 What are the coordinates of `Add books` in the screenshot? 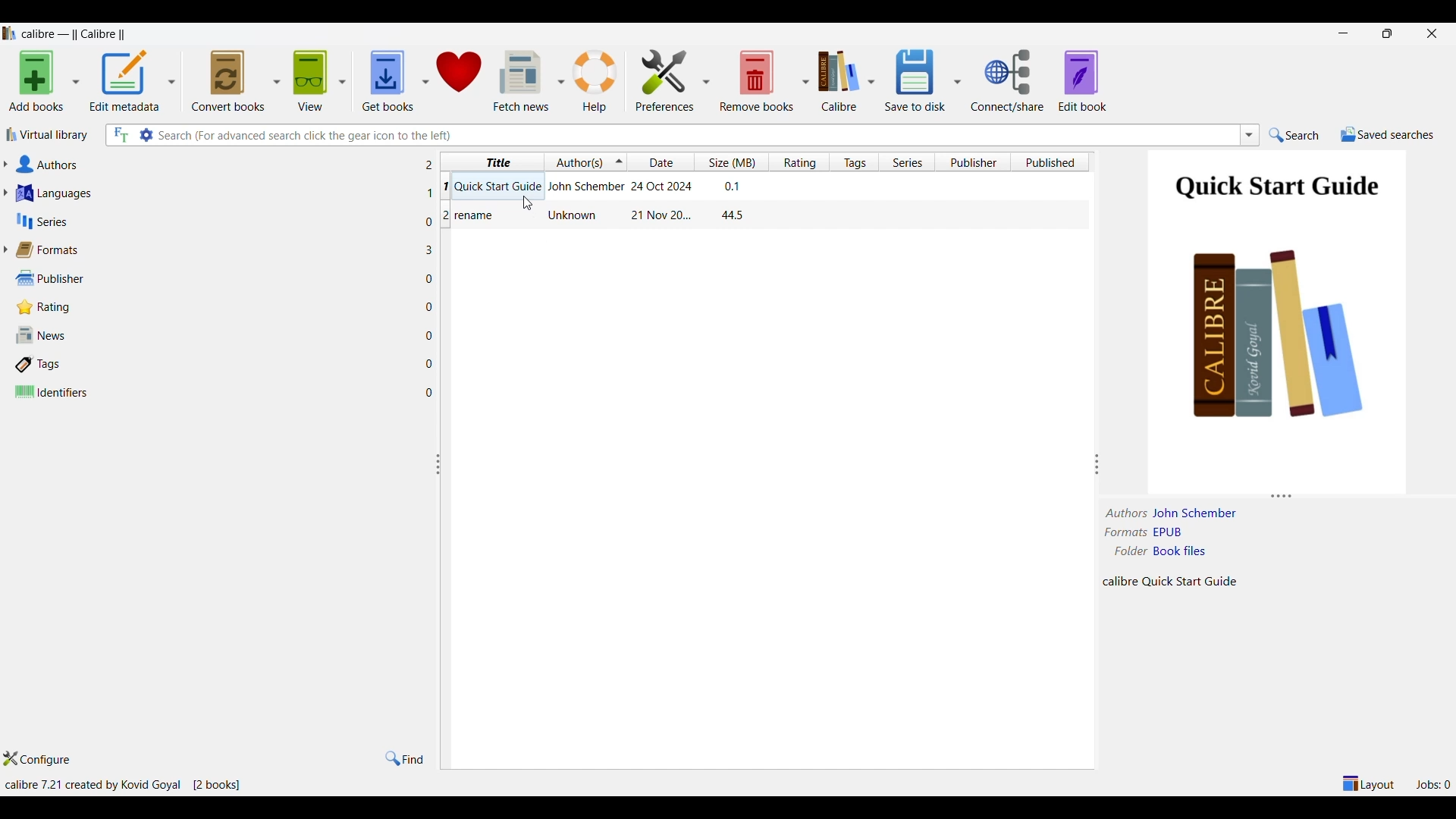 It's located at (36, 82).